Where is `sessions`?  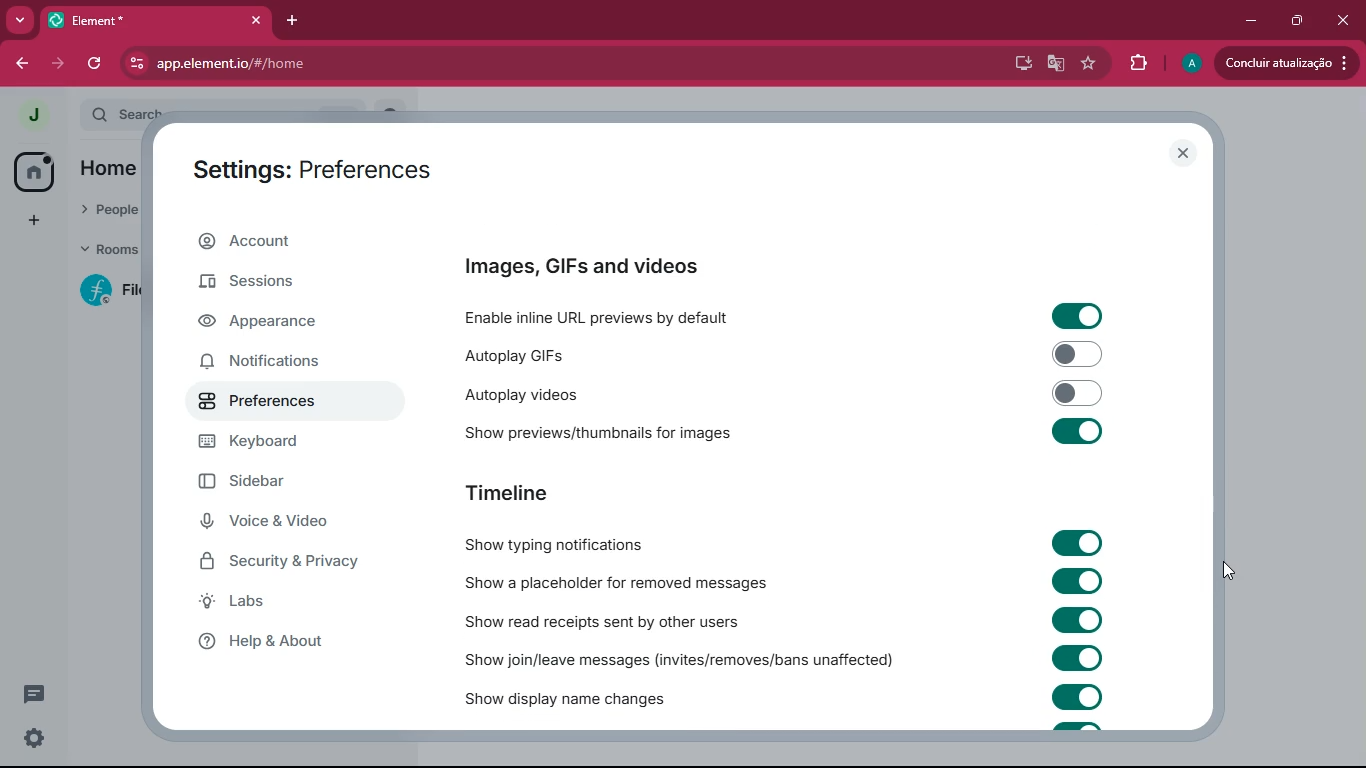
sessions is located at coordinates (287, 285).